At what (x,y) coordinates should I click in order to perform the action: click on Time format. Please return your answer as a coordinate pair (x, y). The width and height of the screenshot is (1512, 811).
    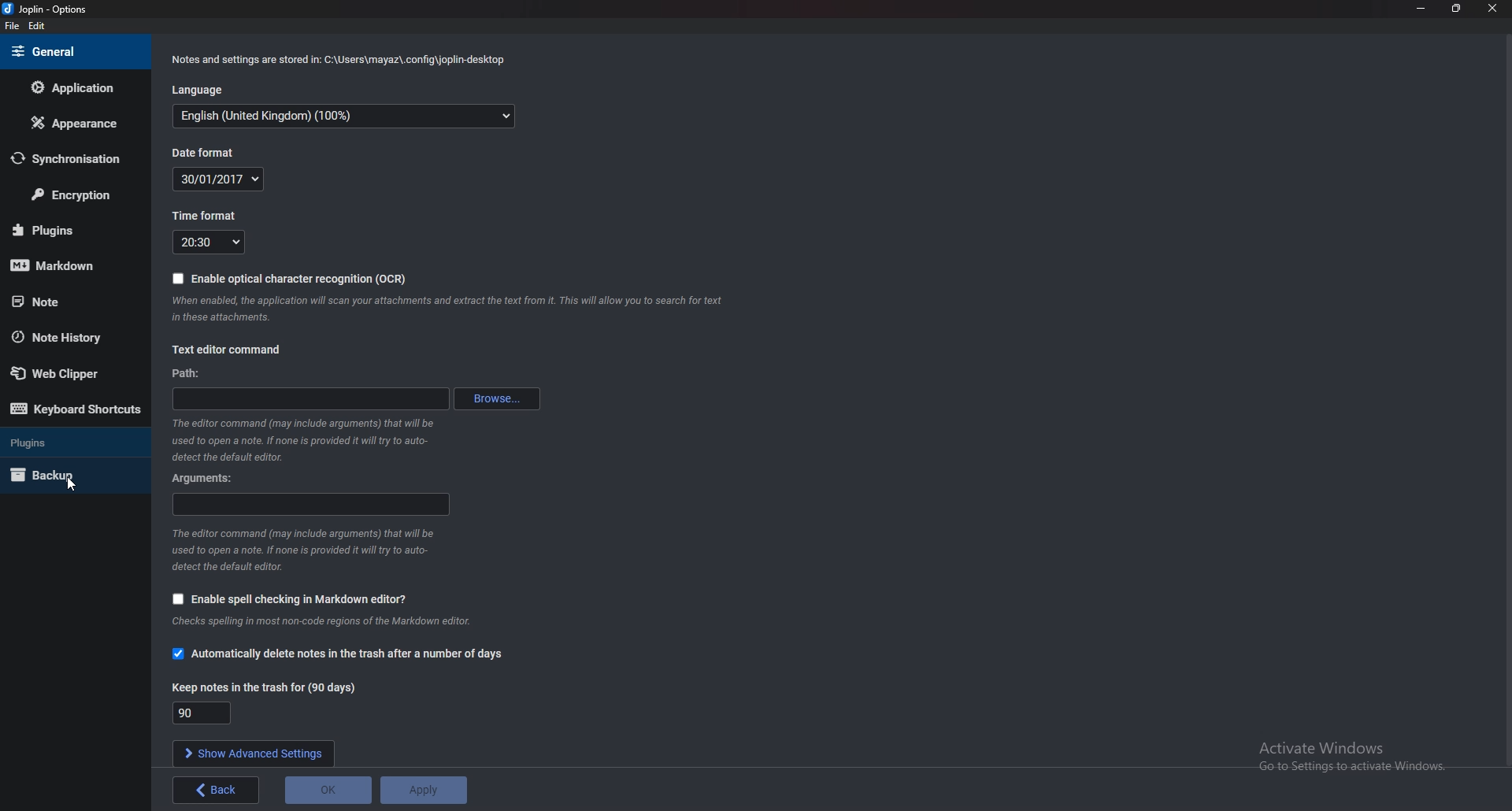
    Looking at the image, I should click on (209, 242).